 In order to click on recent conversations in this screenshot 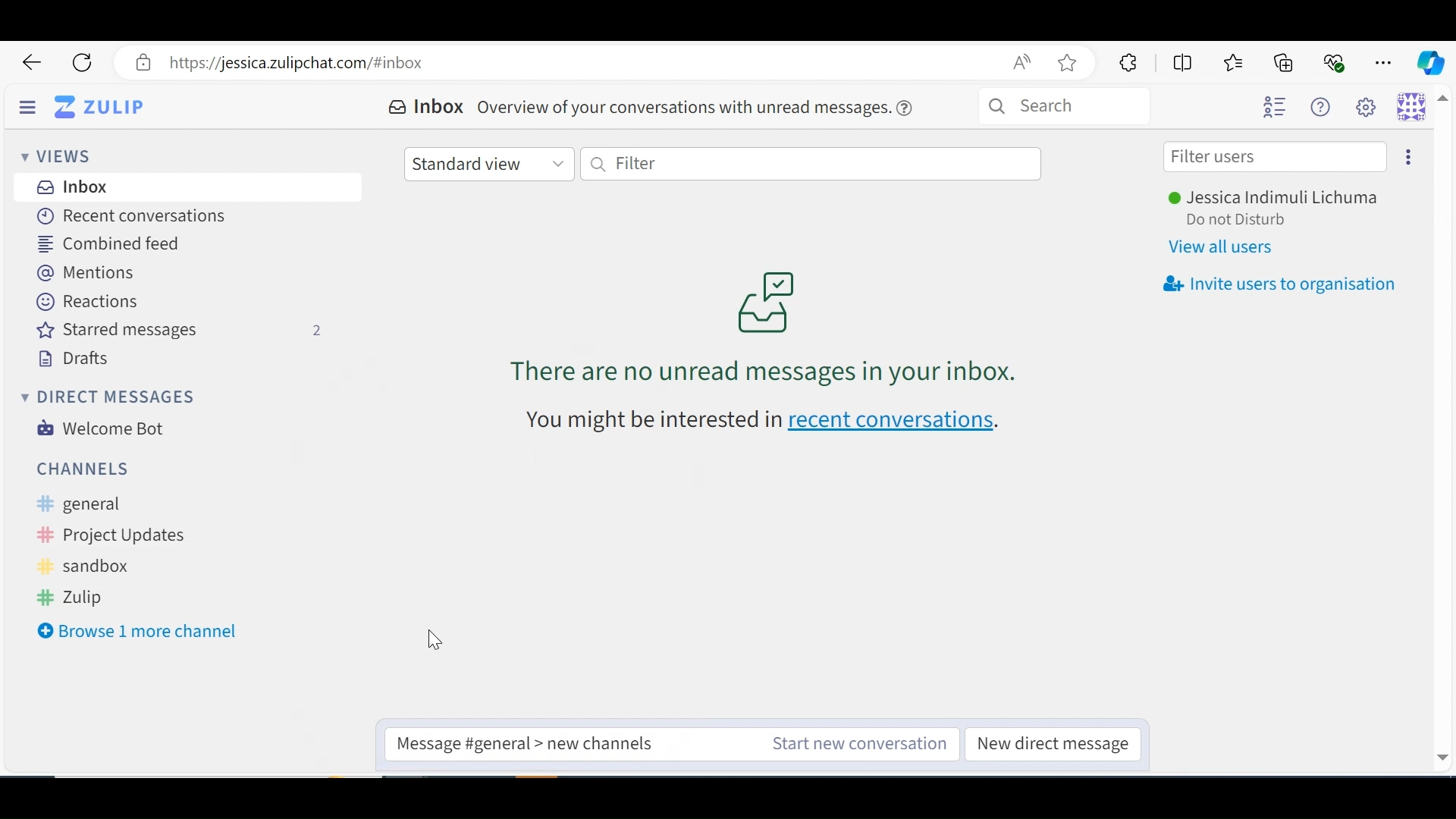, I will do `click(766, 421)`.